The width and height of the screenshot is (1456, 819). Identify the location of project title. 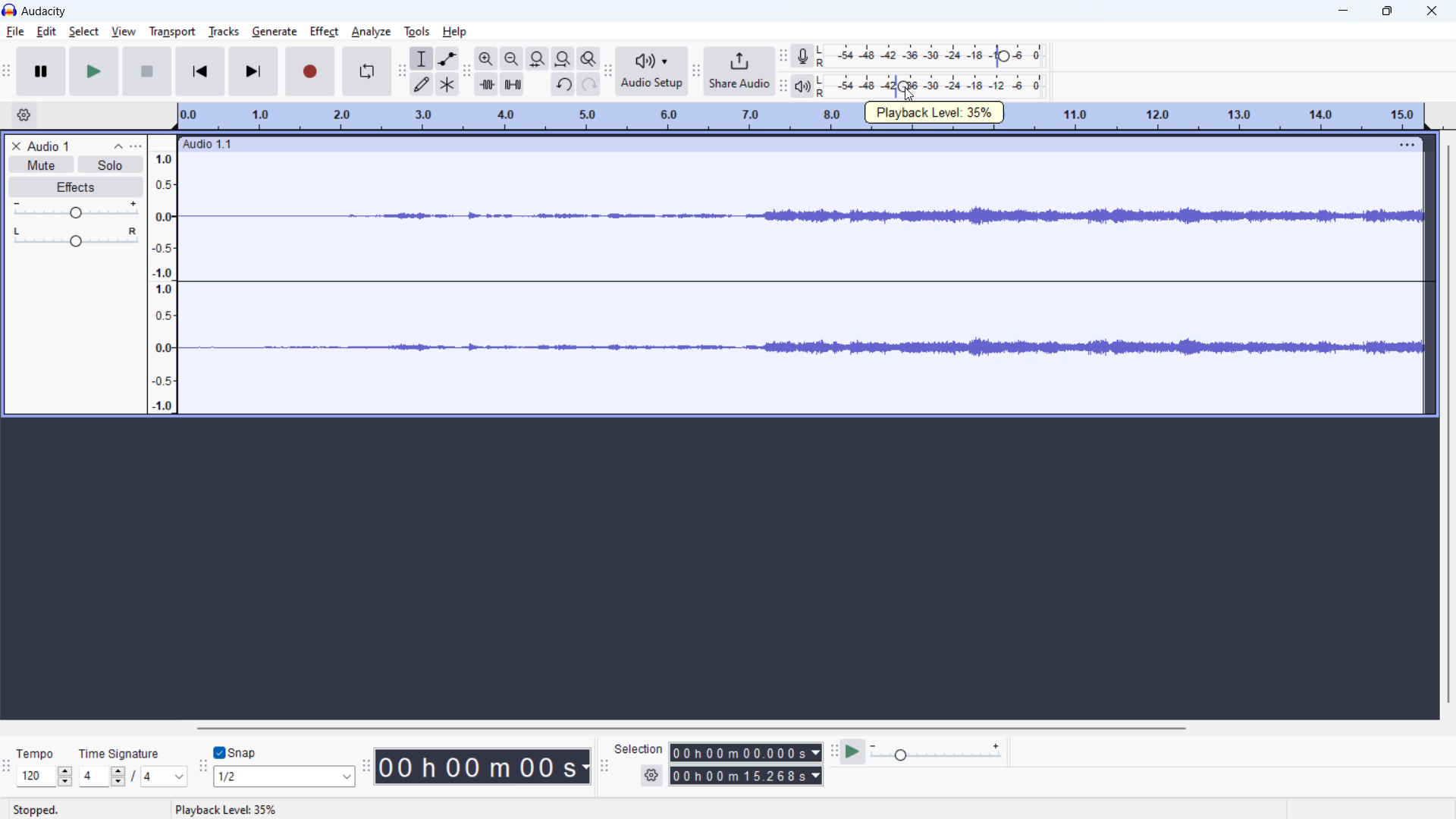
(49, 146).